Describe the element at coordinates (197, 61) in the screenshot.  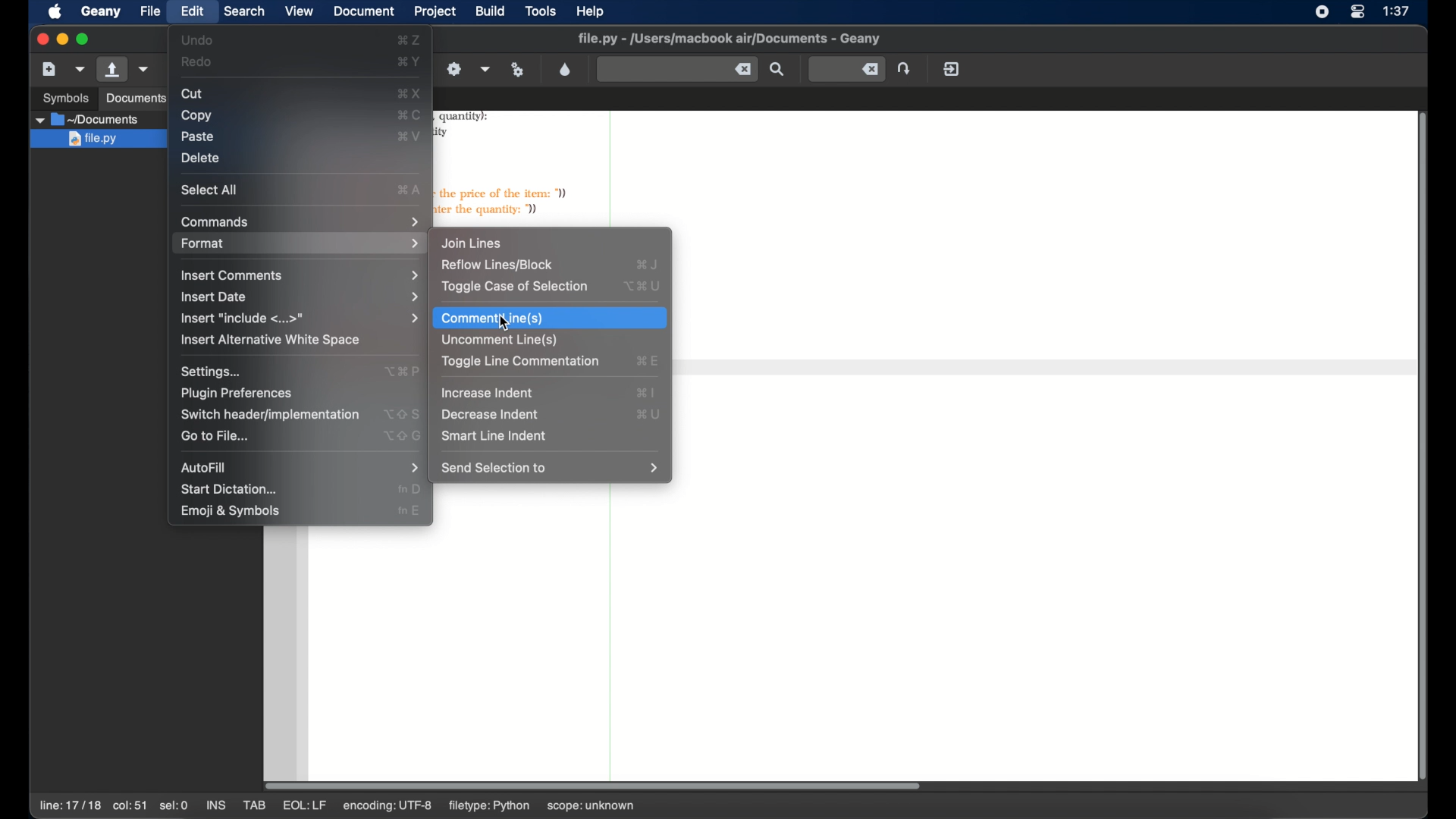
I see `redo` at that location.